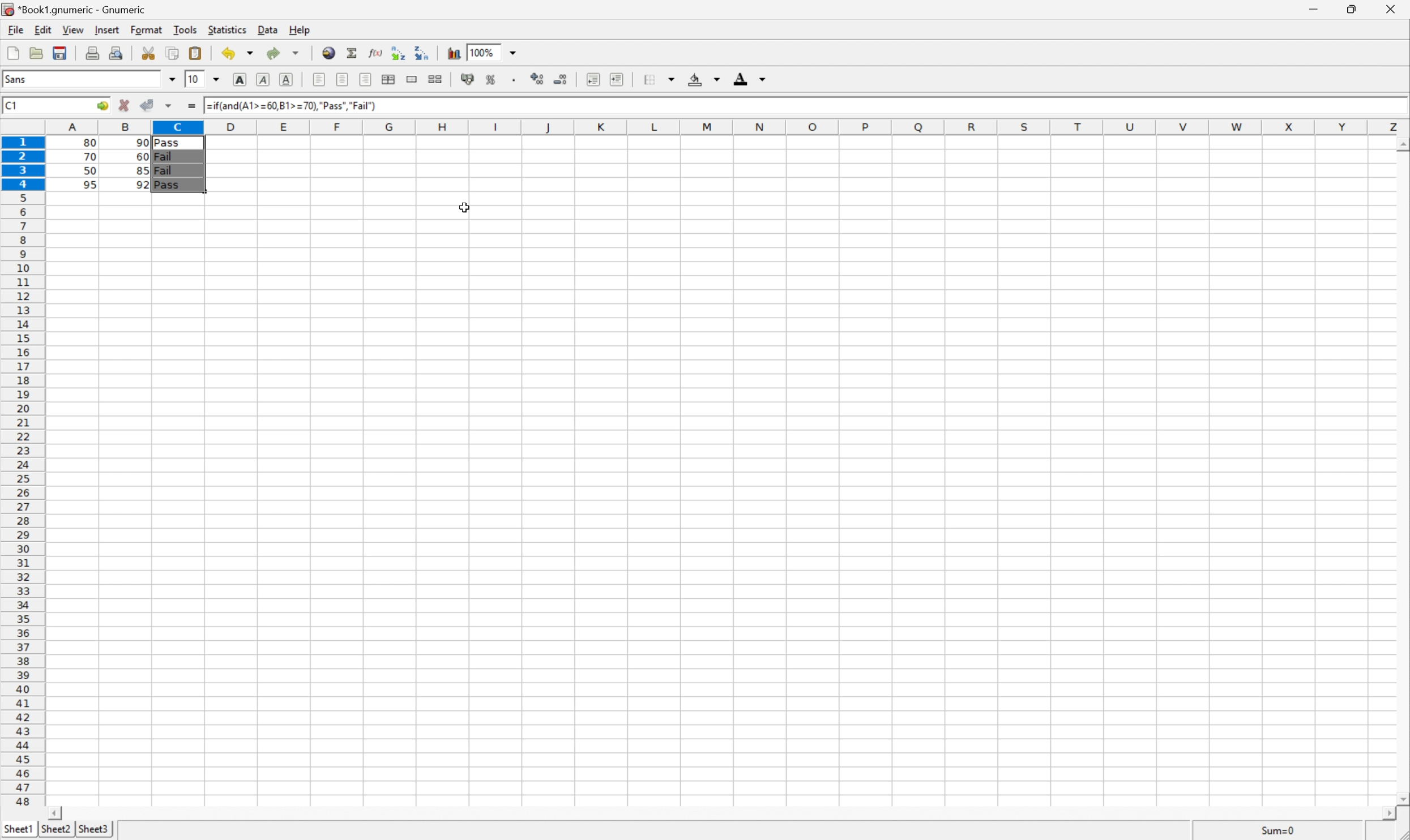 The width and height of the screenshot is (1410, 840). Describe the element at coordinates (376, 54) in the screenshot. I see `Edit a function in the current cell` at that location.